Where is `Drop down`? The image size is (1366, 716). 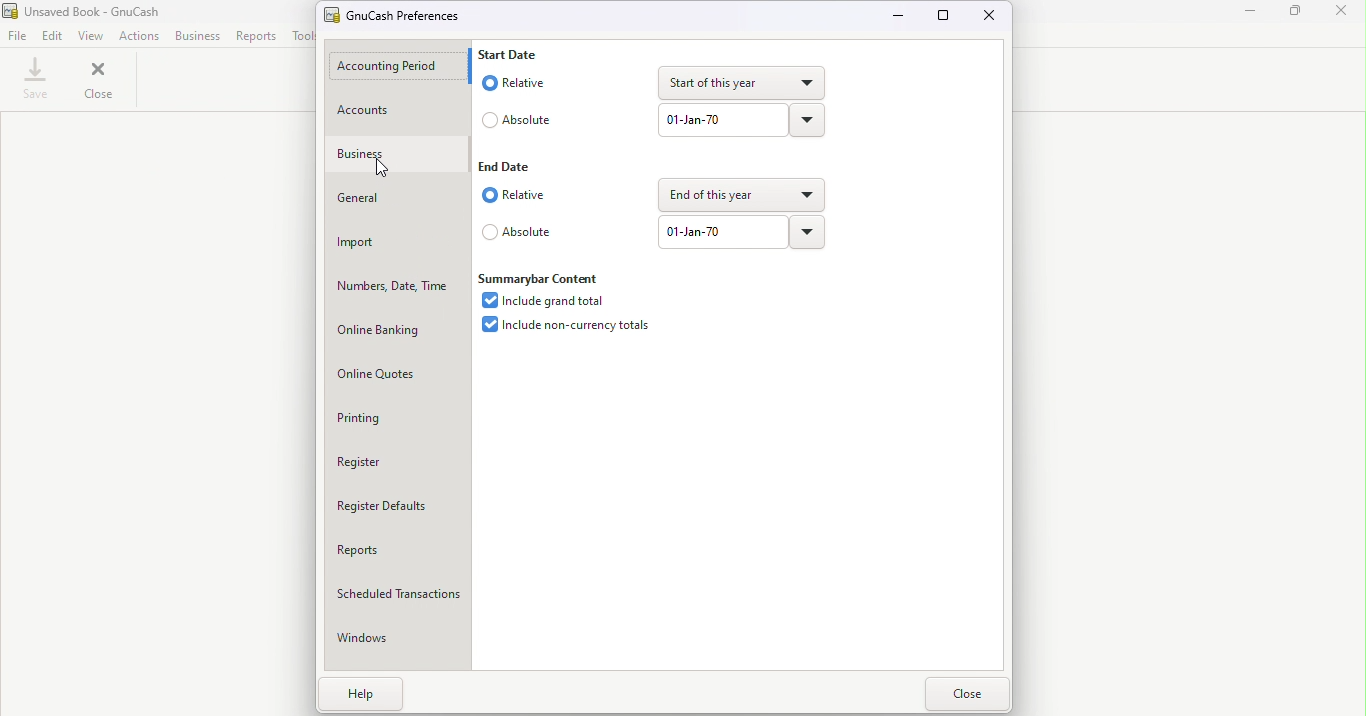 Drop down is located at coordinates (810, 232).